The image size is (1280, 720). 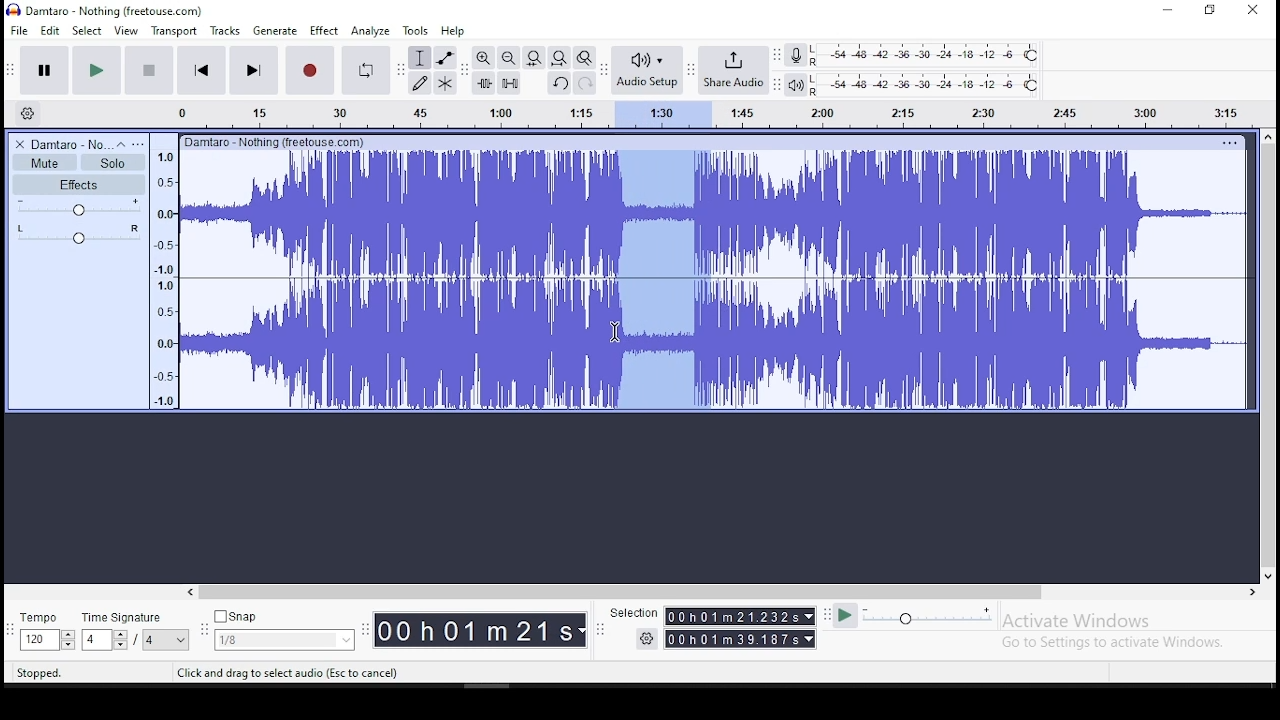 I want to click on skip to start, so click(x=253, y=69).